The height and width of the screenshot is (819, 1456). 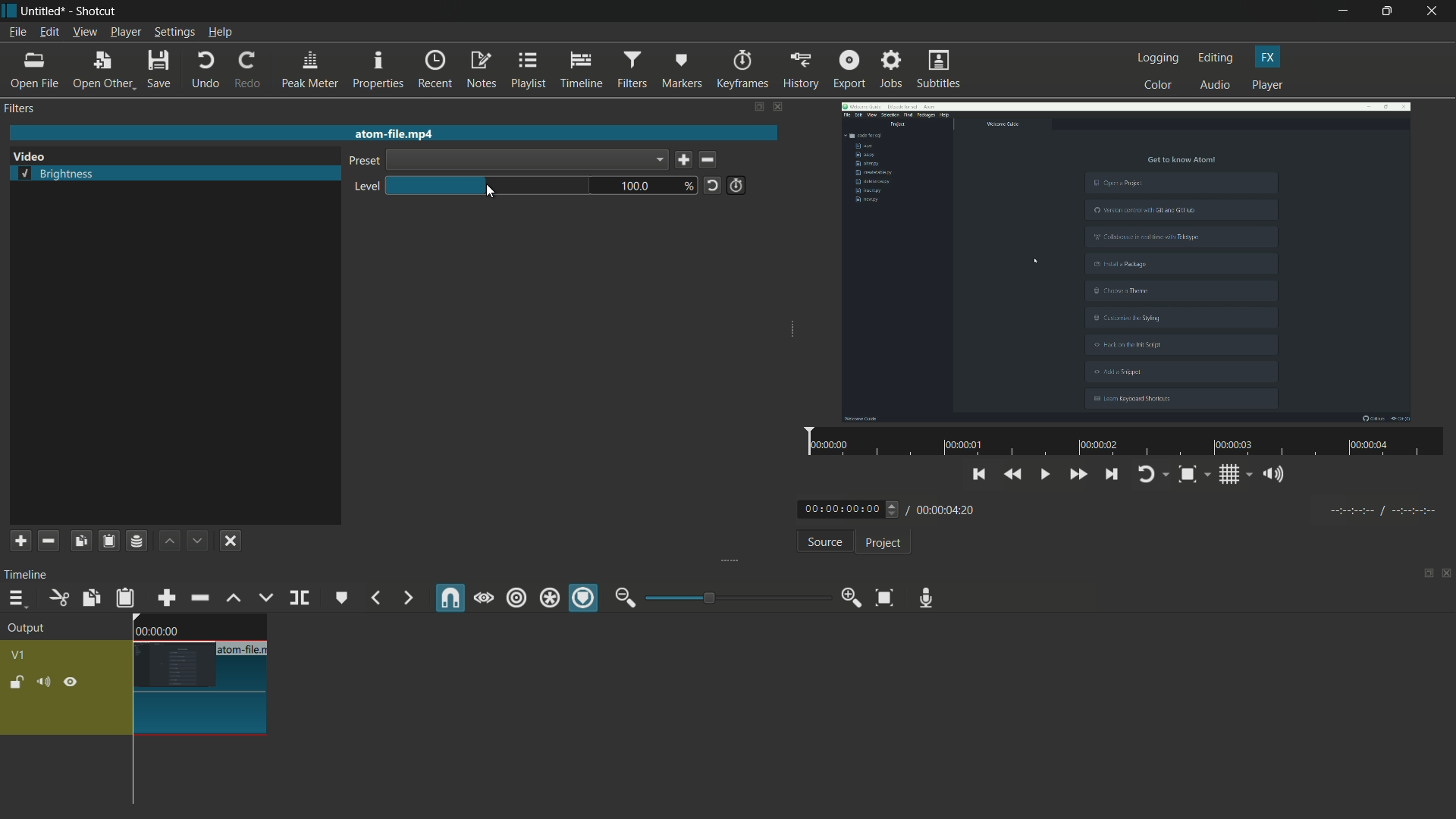 What do you see at coordinates (301, 599) in the screenshot?
I see `split at playhead` at bounding box center [301, 599].